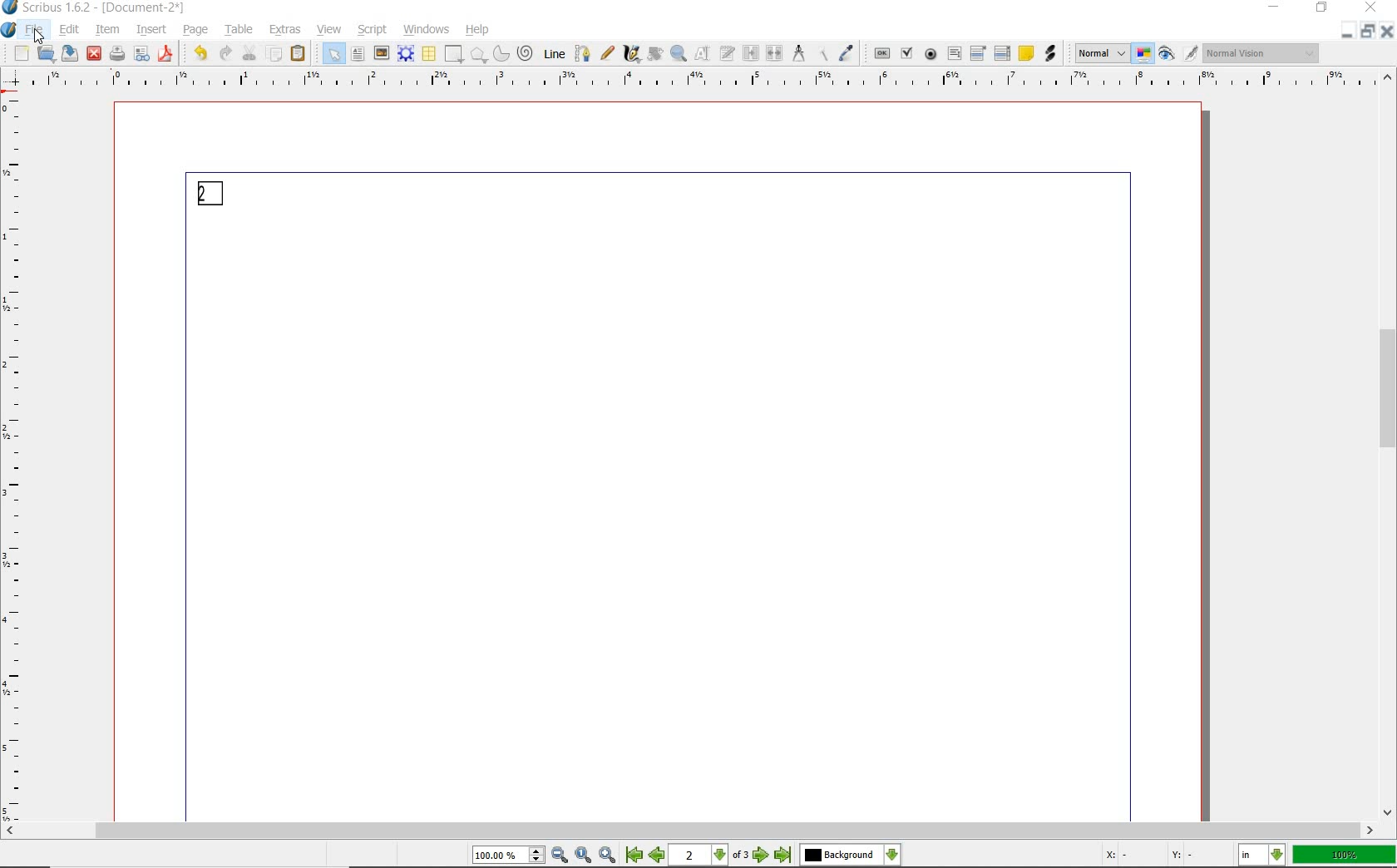 Image resolution: width=1397 pixels, height=868 pixels. What do you see at coordinates (143, 54) in the screenshot?
I see `preflight verifier` at bounding box center [143, 54].